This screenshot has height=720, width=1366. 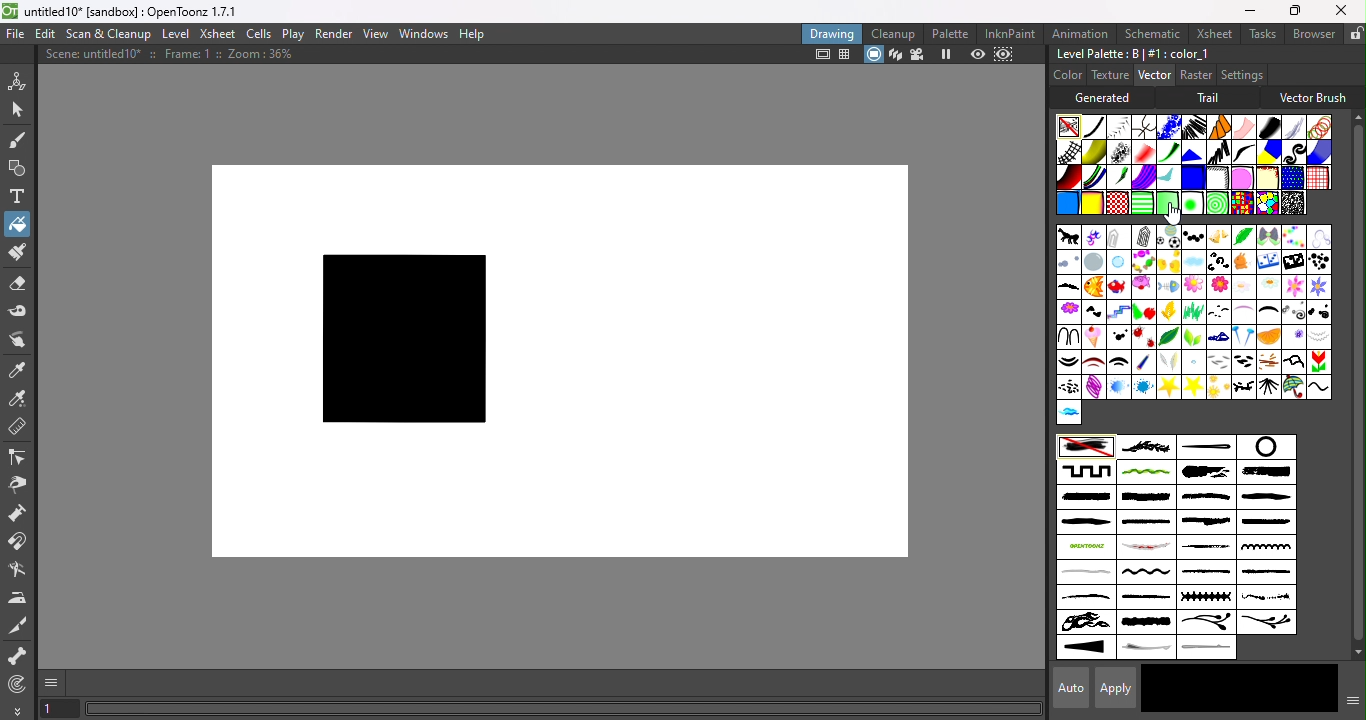 I want to click on Auto, so click(x=1065, y=688).